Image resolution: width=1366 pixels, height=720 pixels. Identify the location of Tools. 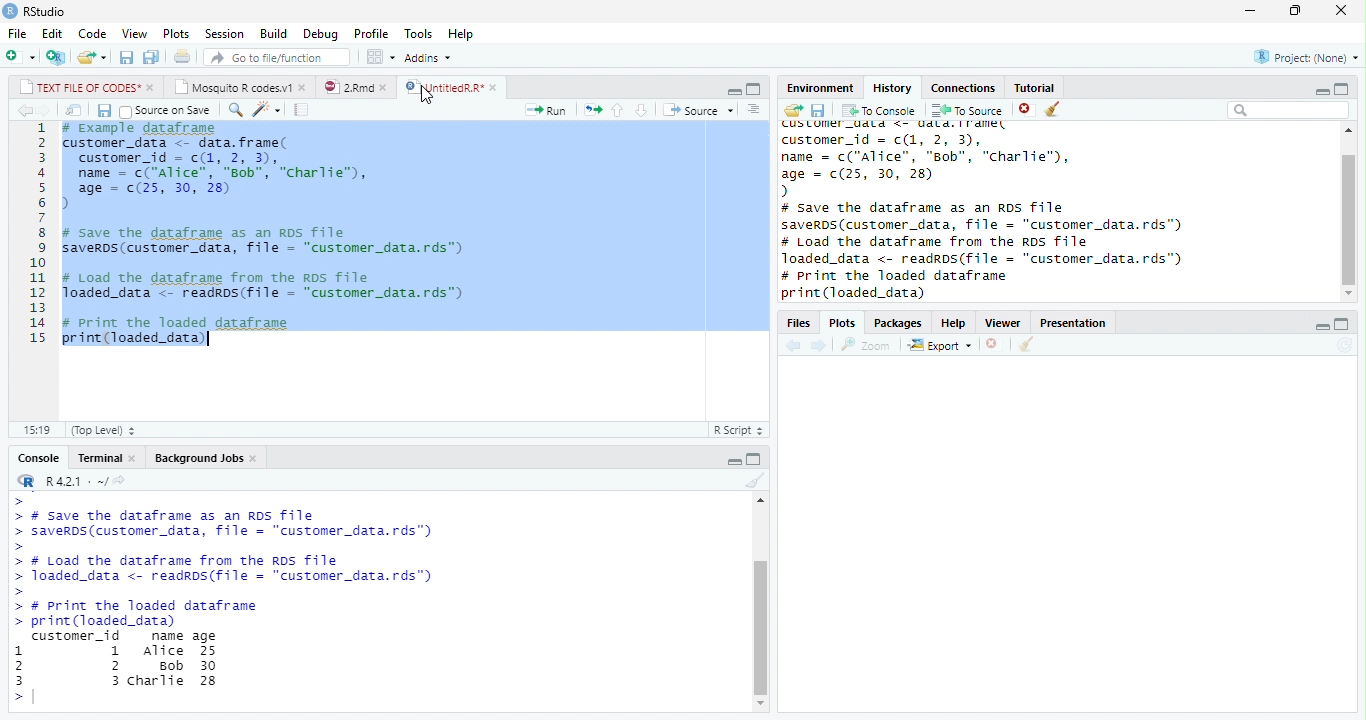
(418, 32).